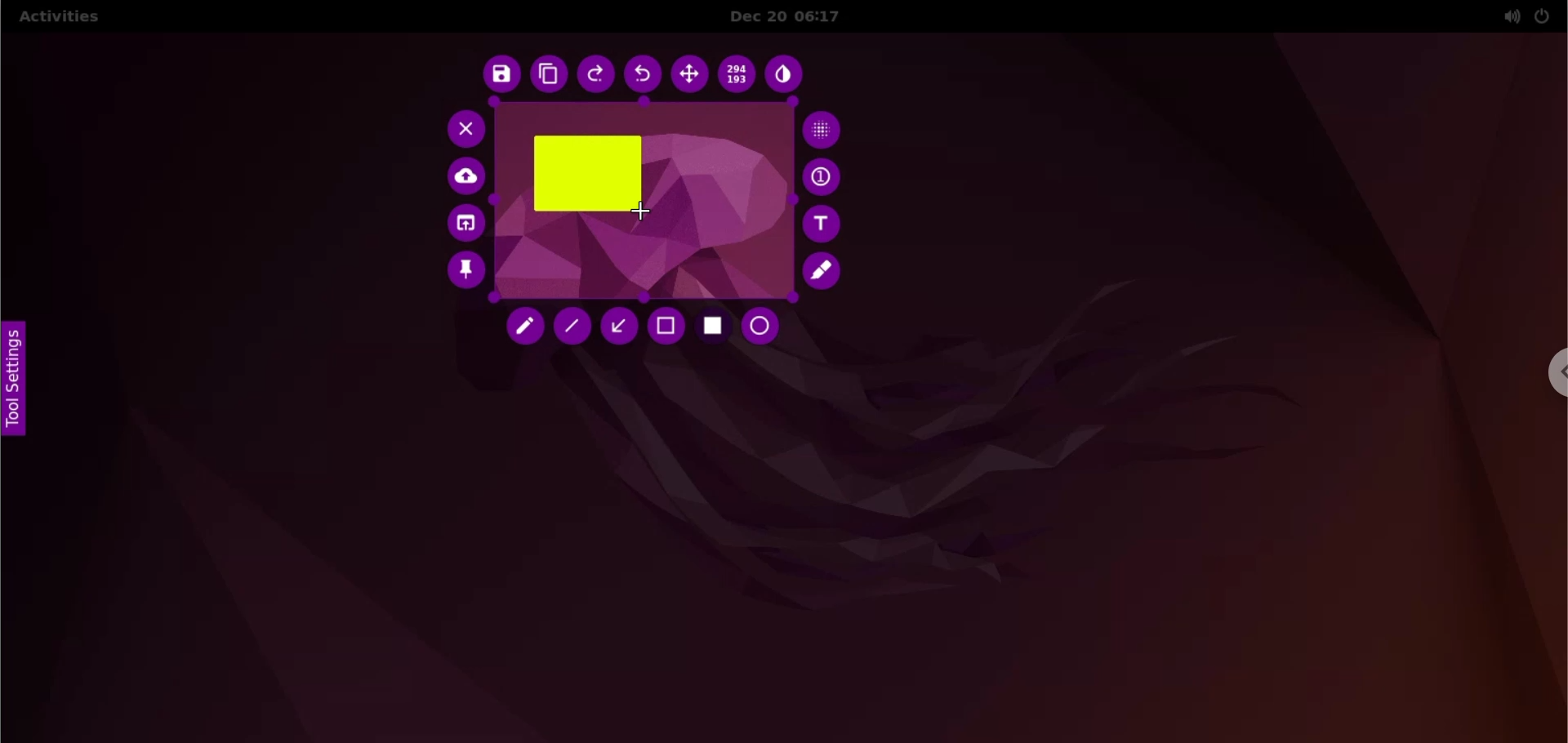 This screenshot has width=1568, height=743. Describe the element at coordinates (468, 177) in the screenshot. I see `upload` at that location.